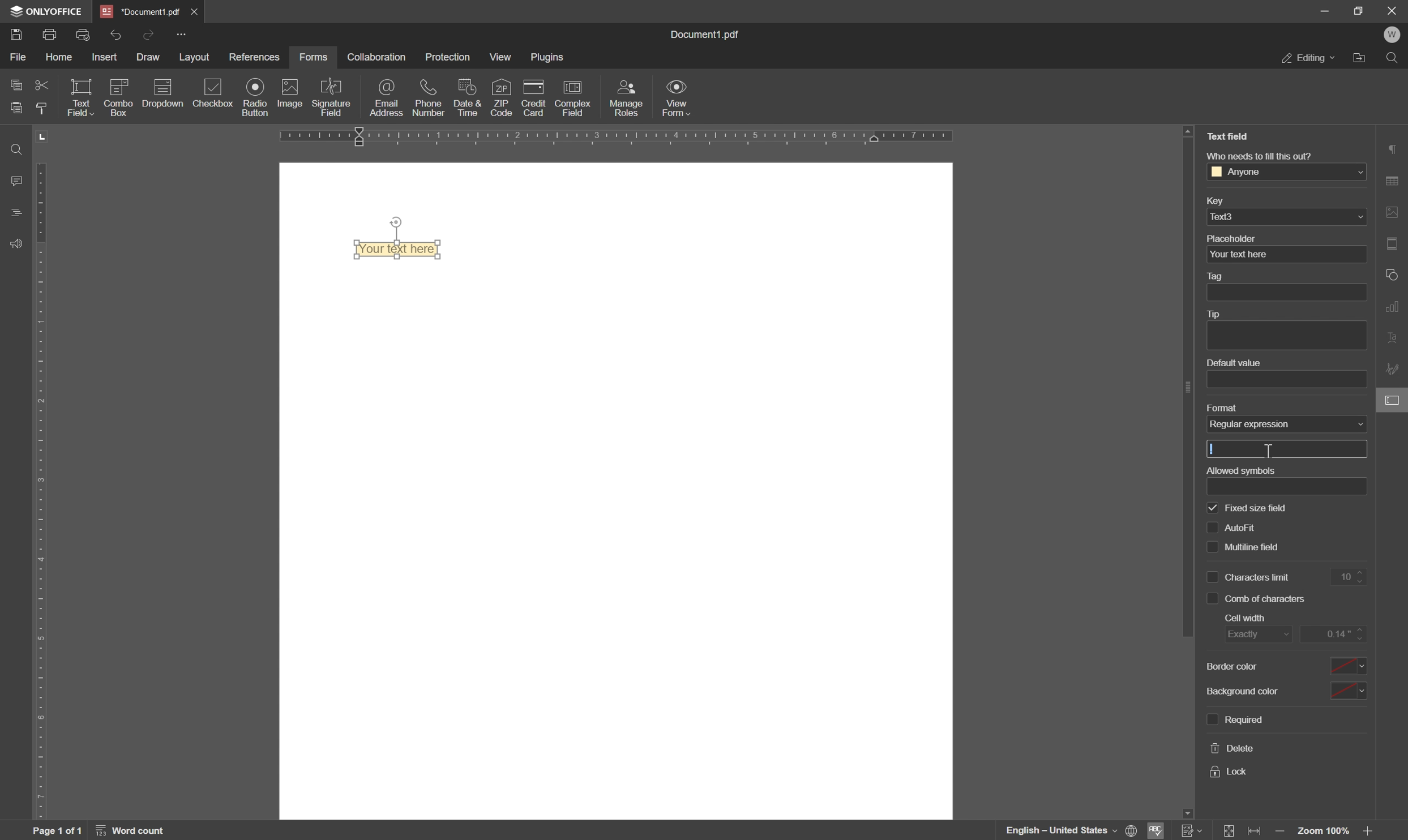 The width and height of the screenshot is (1408, 840). Describe the element at coordinates (149, 59) in the screenshot. I see `draw` at that location.